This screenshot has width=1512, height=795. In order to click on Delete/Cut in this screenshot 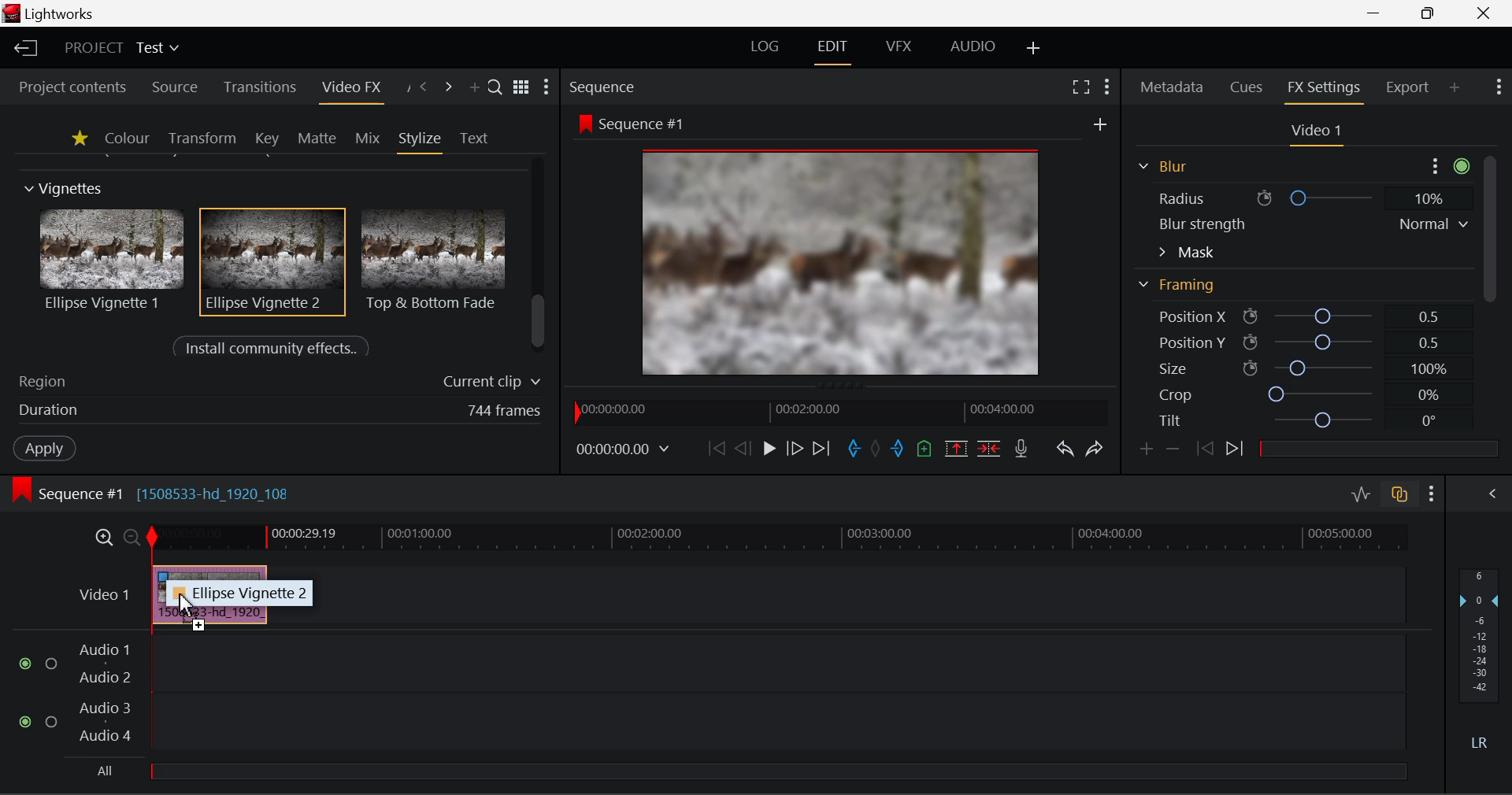, I will do `click(991, 444)`.